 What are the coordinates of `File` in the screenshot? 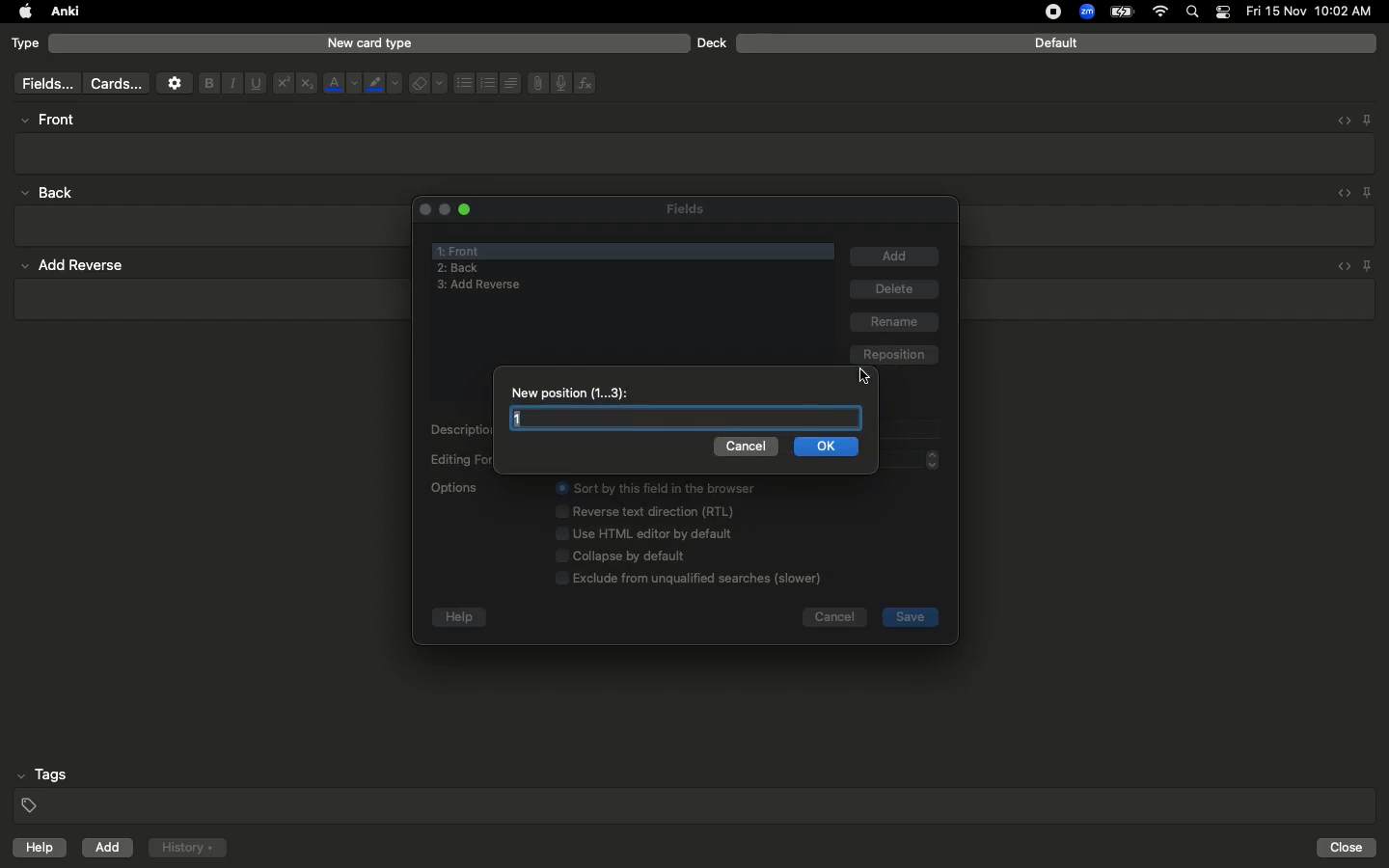 It's located at (534, 83).